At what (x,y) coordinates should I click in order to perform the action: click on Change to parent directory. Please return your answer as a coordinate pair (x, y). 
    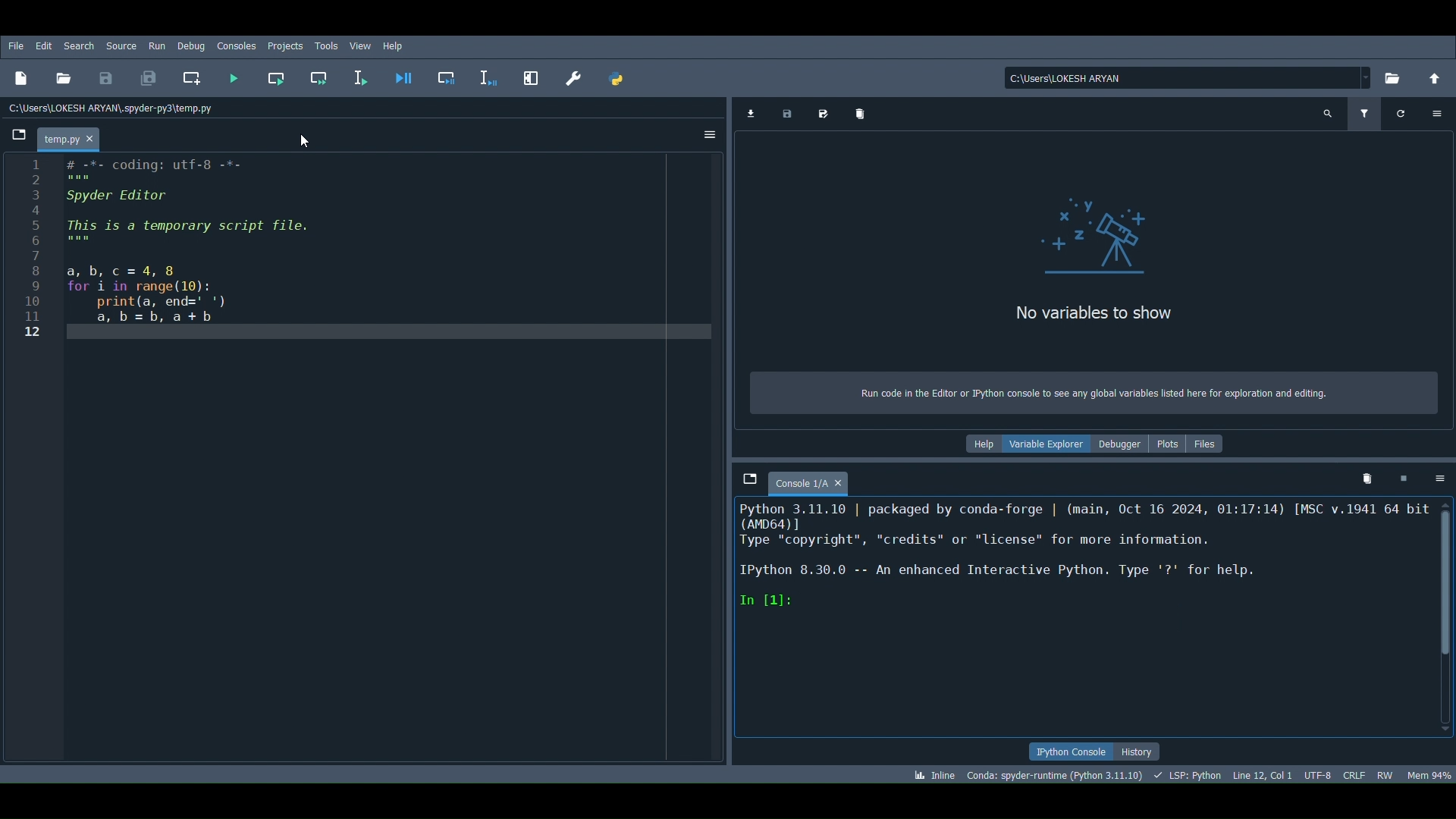
    Looking at the image, I should click on (1438, 77).